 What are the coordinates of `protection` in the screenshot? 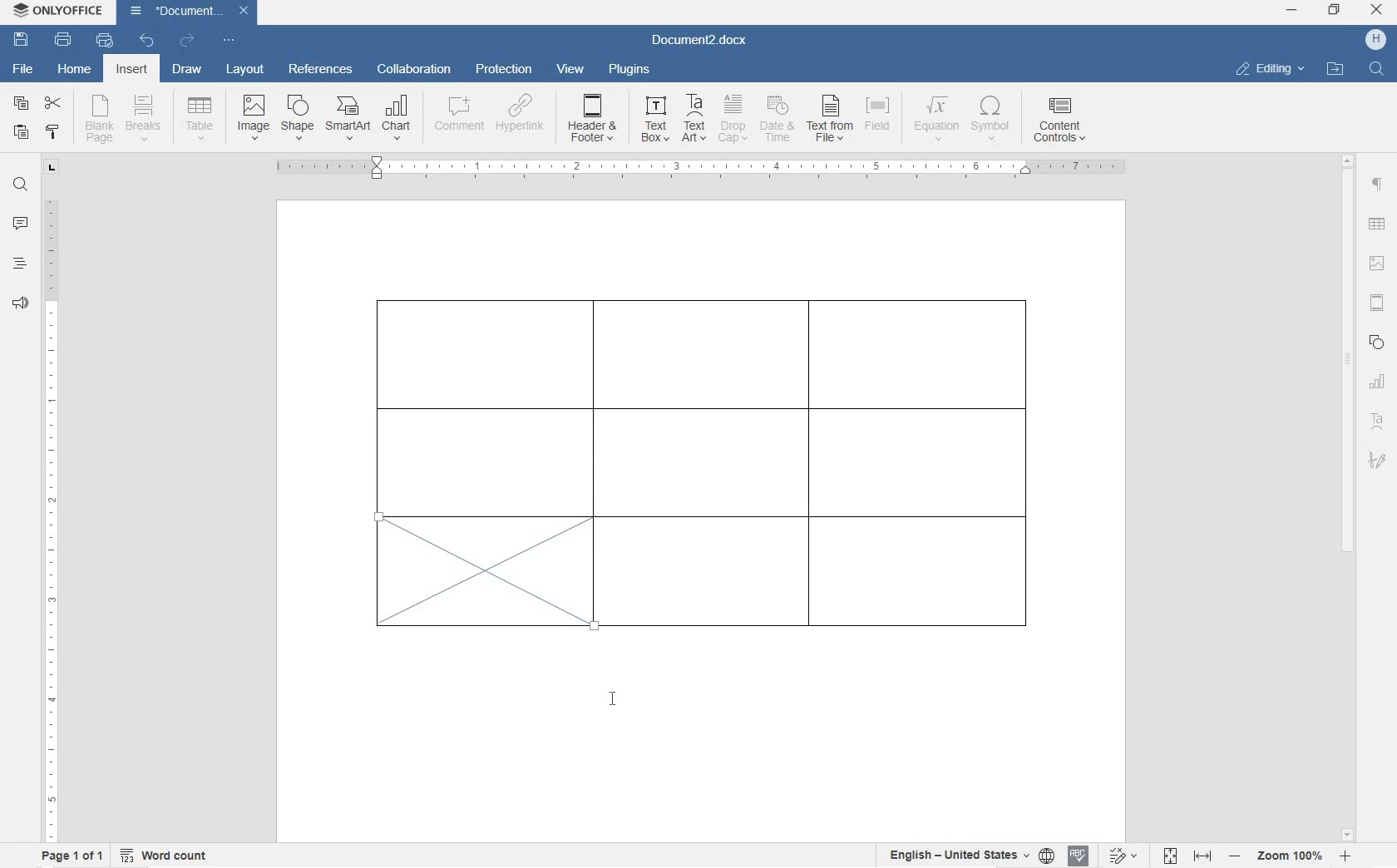 It's located at (506, 70).